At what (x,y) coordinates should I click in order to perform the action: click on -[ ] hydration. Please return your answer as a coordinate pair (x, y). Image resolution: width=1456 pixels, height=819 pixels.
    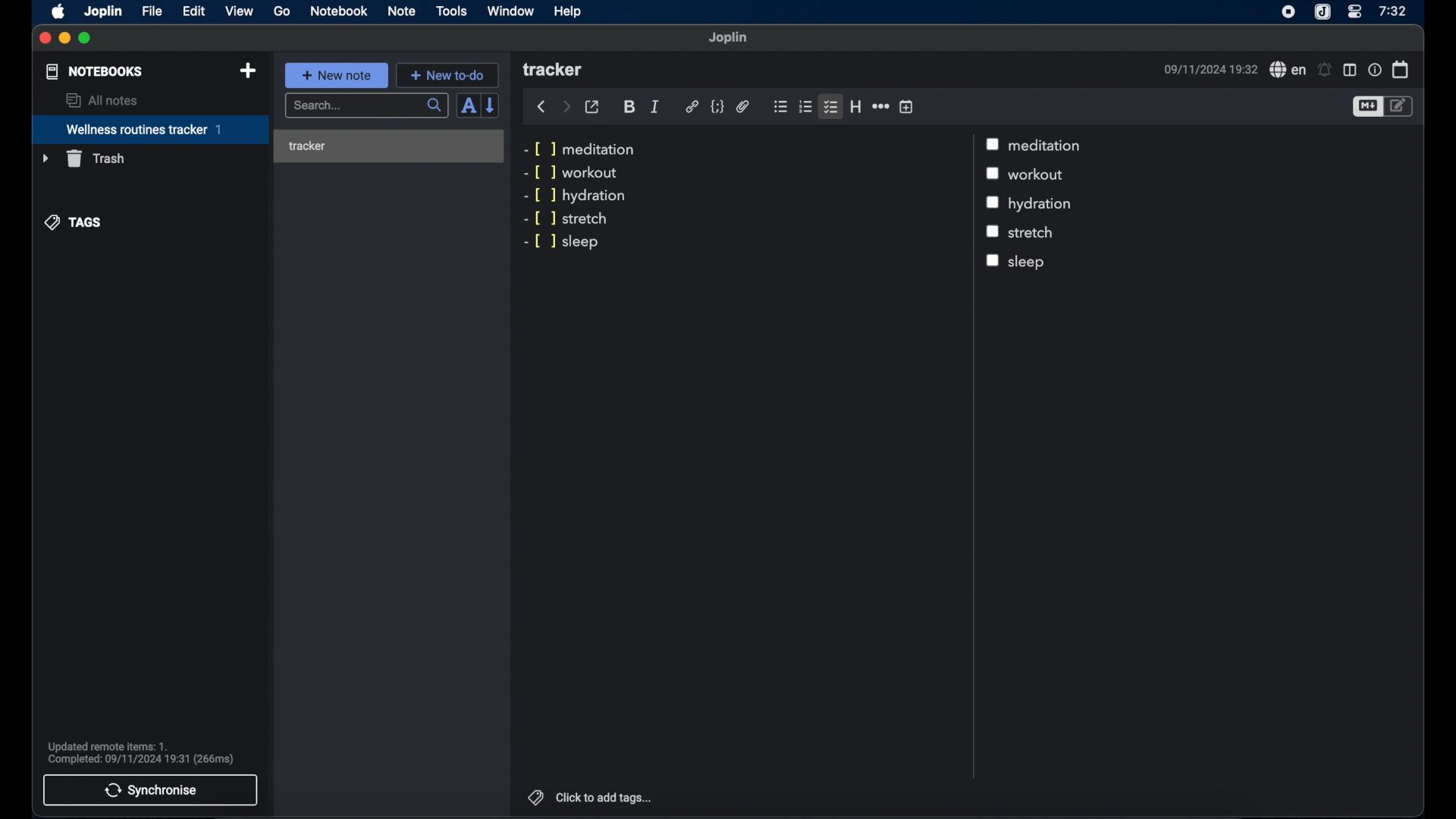
    Looking at the image, I should click on (578, 196).